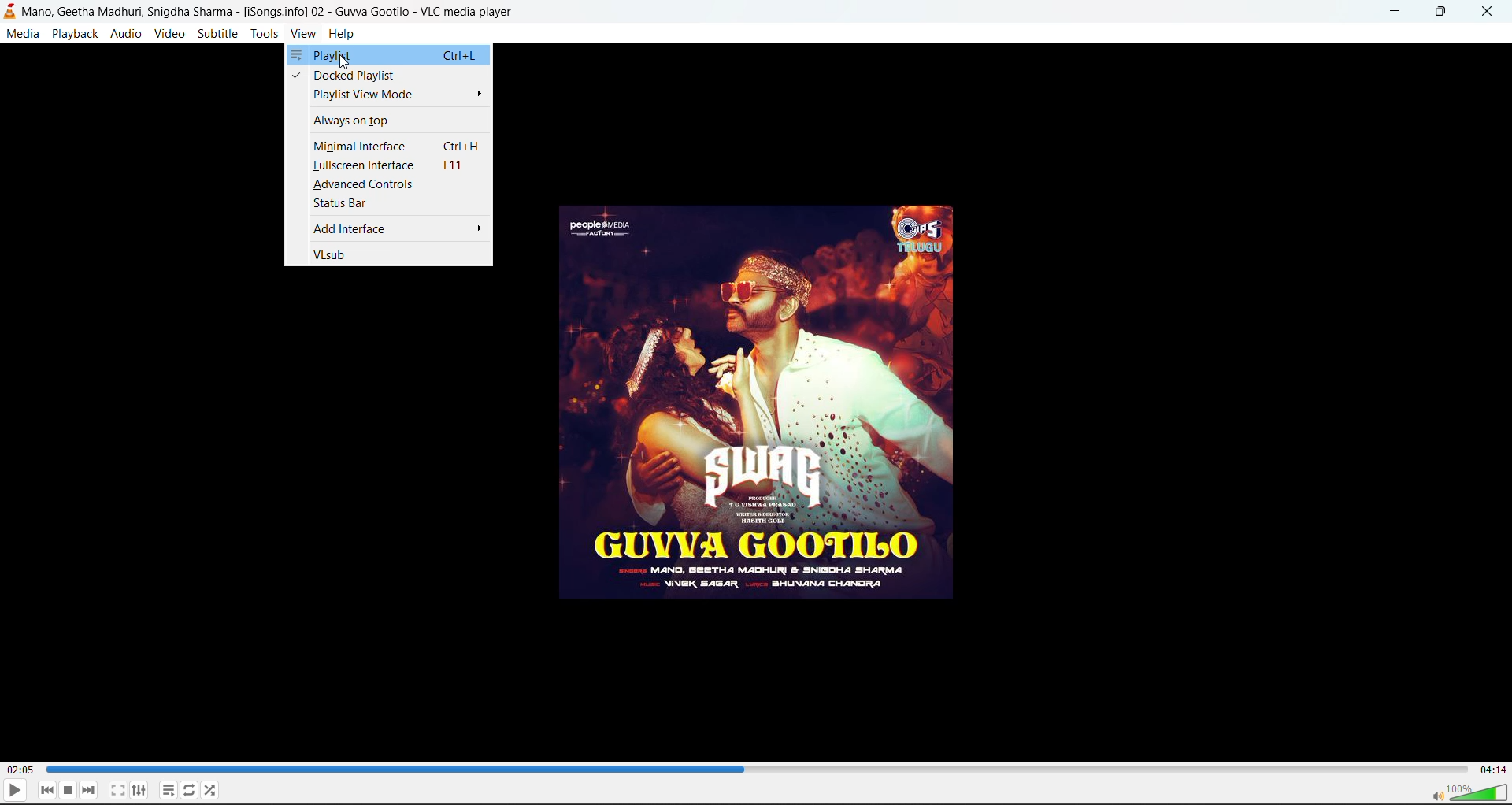 The width and height of the screenshot is (1512, 805). What do you see at coordinates (118, 790) in the screenshot?
I see `toggle fullscreen` at bounding box center [118, 790].